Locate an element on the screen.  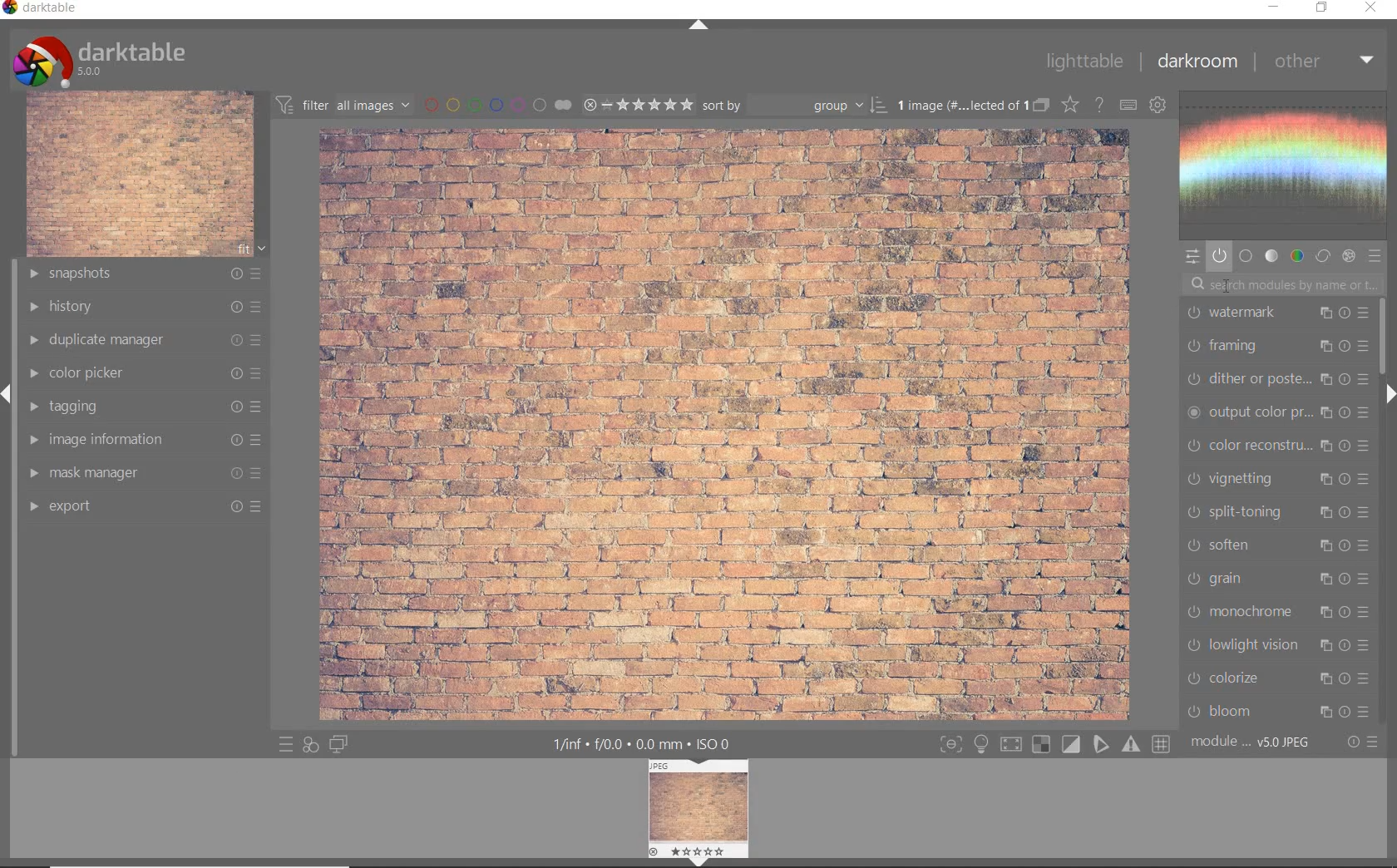
previous is located at coordinates (8, 402).